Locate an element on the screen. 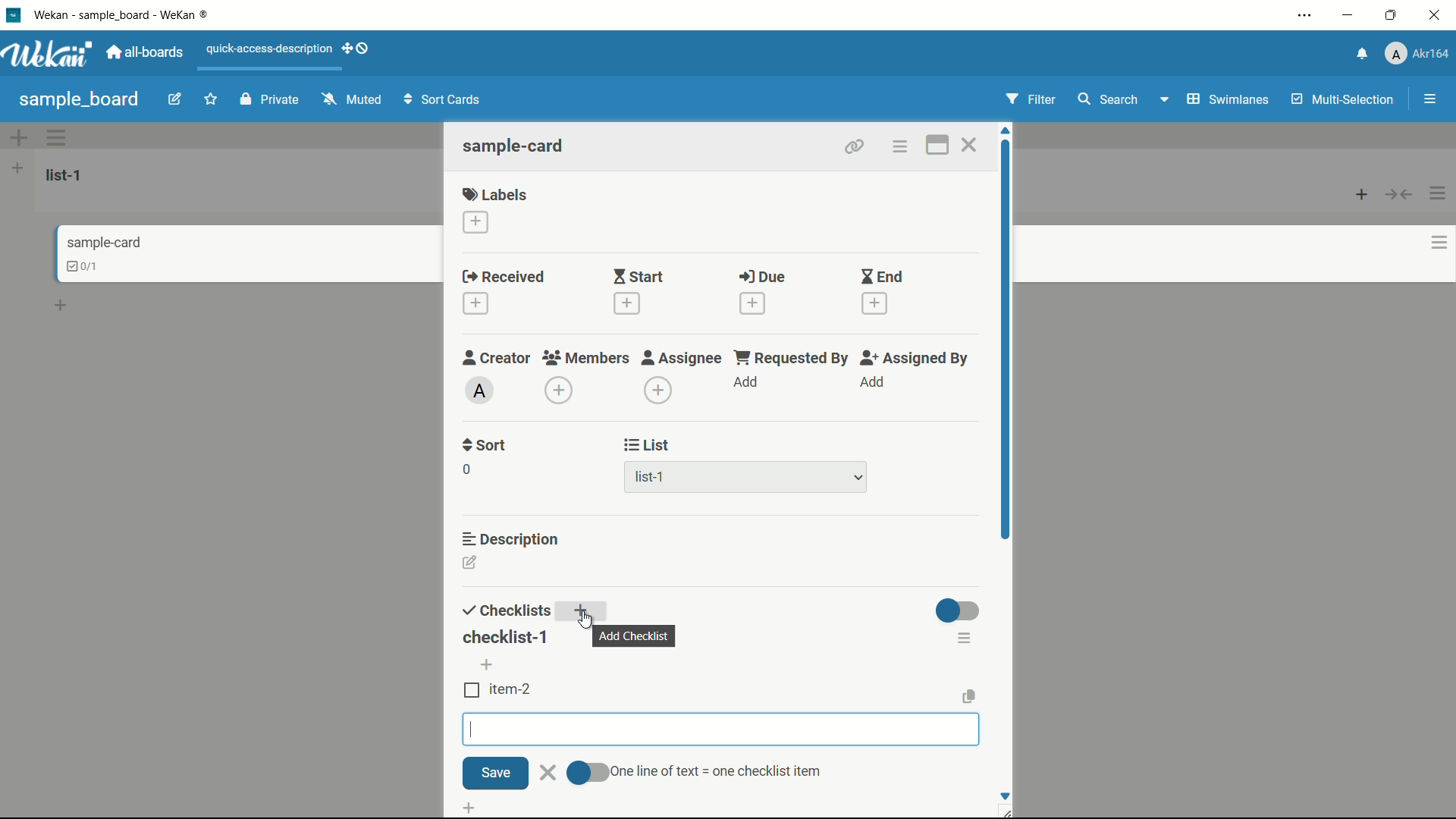 The height and width of the screenshot is (819, 1456). labels is located at coordinates (495, 193).